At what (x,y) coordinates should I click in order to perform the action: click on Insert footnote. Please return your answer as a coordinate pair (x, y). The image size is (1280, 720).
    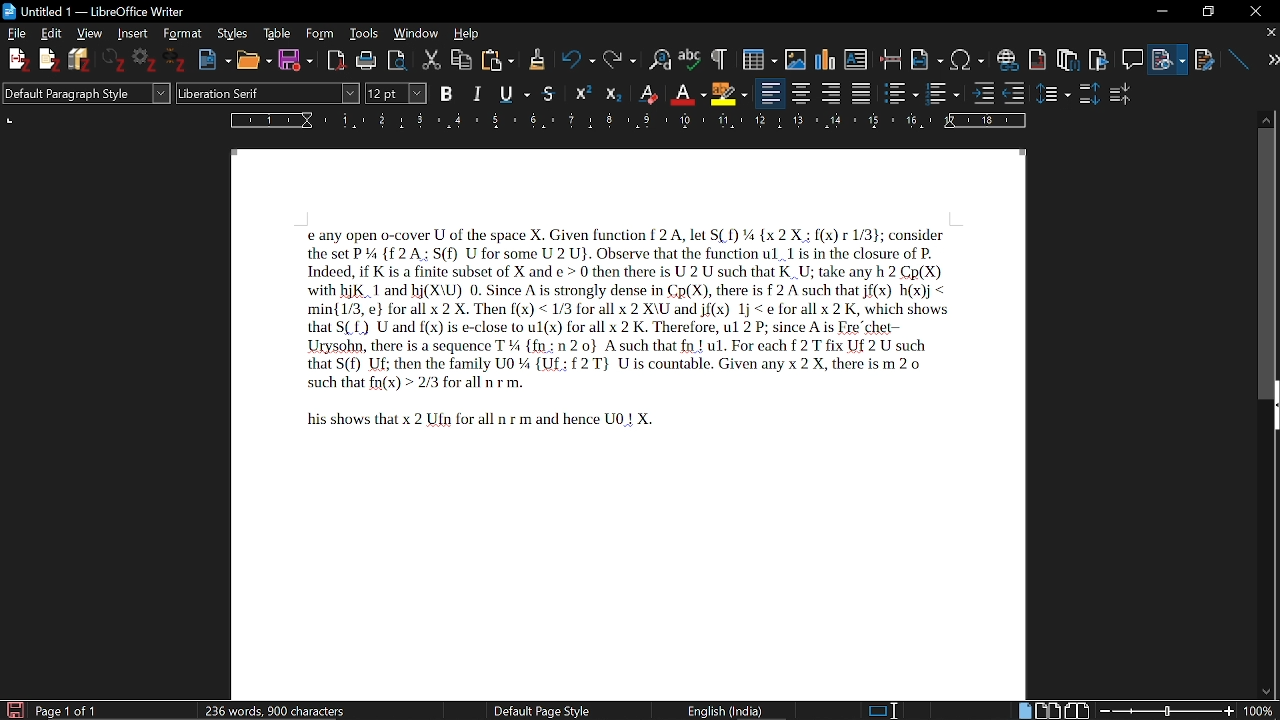
    Looking at the image, I should click on (1067, 56).